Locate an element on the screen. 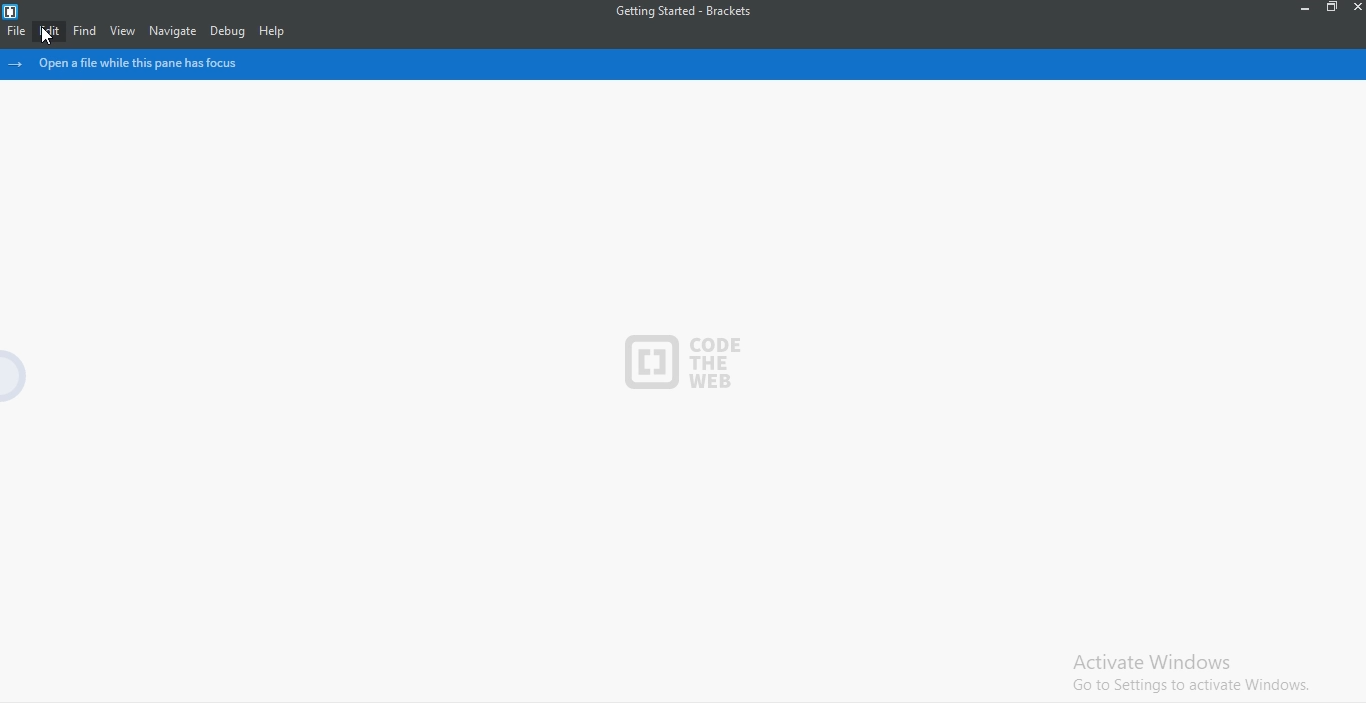  Getting Started - Brackets is located at coordinates (692, 10).